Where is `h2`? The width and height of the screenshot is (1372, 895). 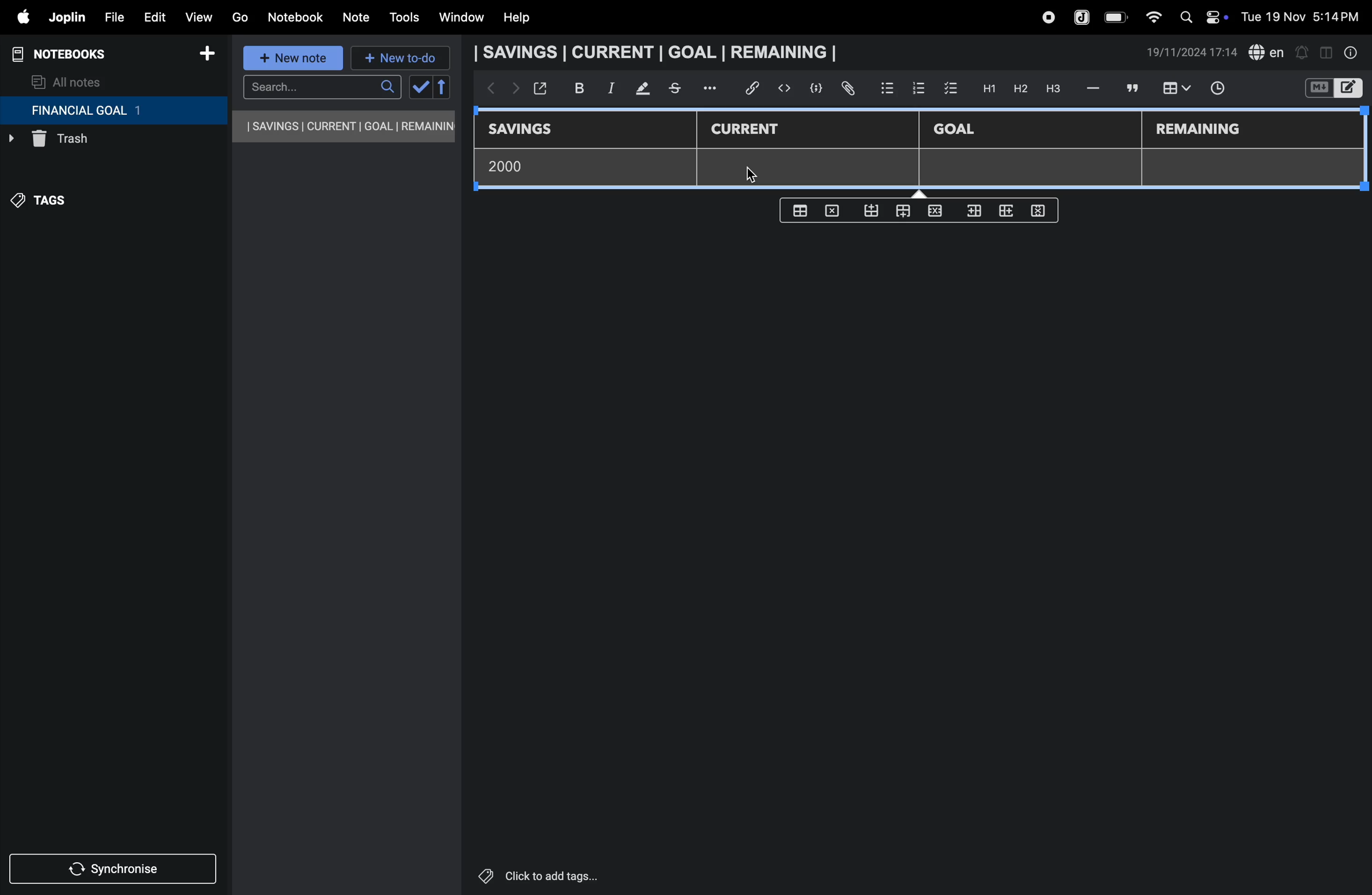
h2 is located at coordinates (1019, 88).